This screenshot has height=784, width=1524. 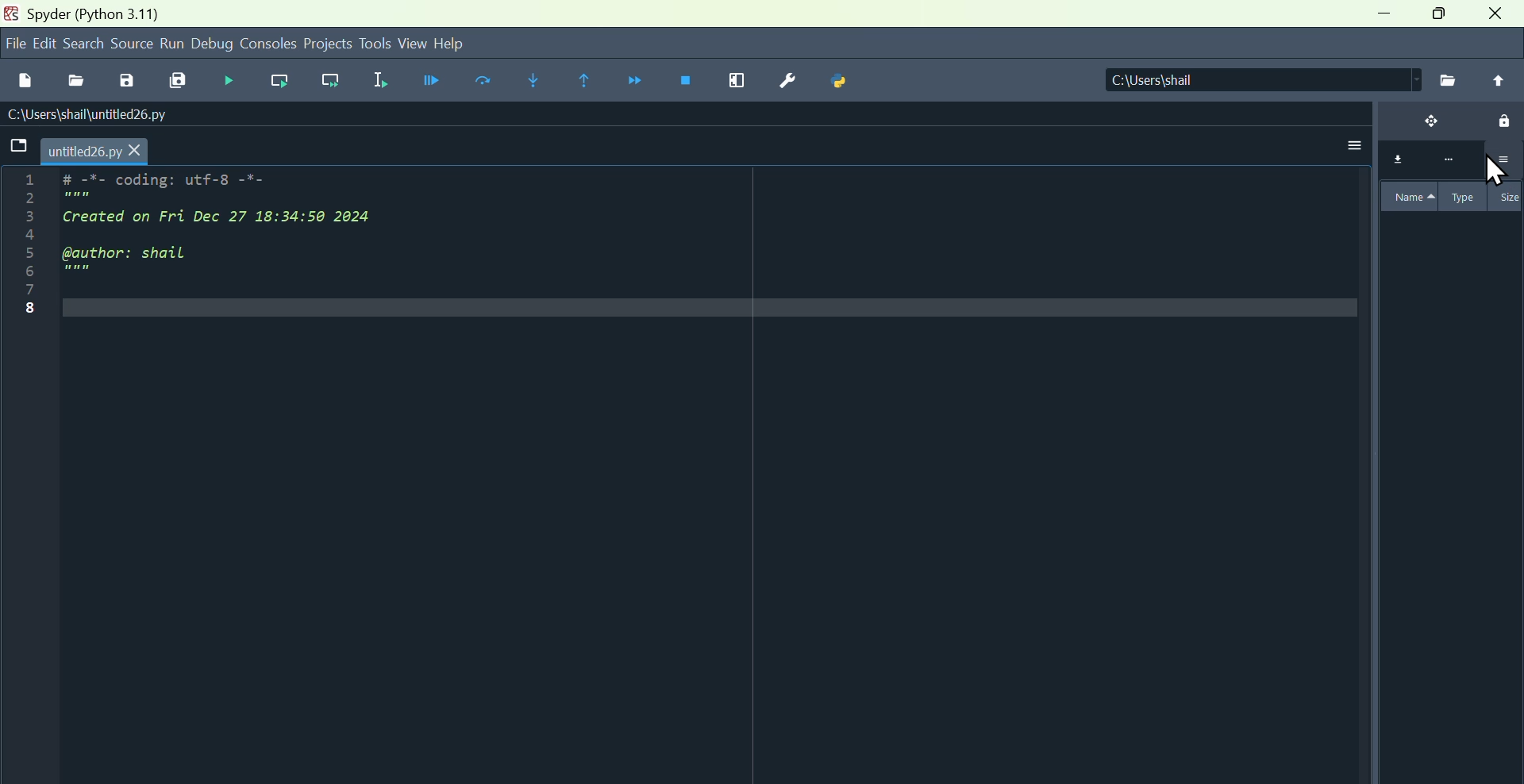 What do you see at coordinates (736, 83) in the screenshot?
I see `maximise current window` at bounding box center [736, 83].